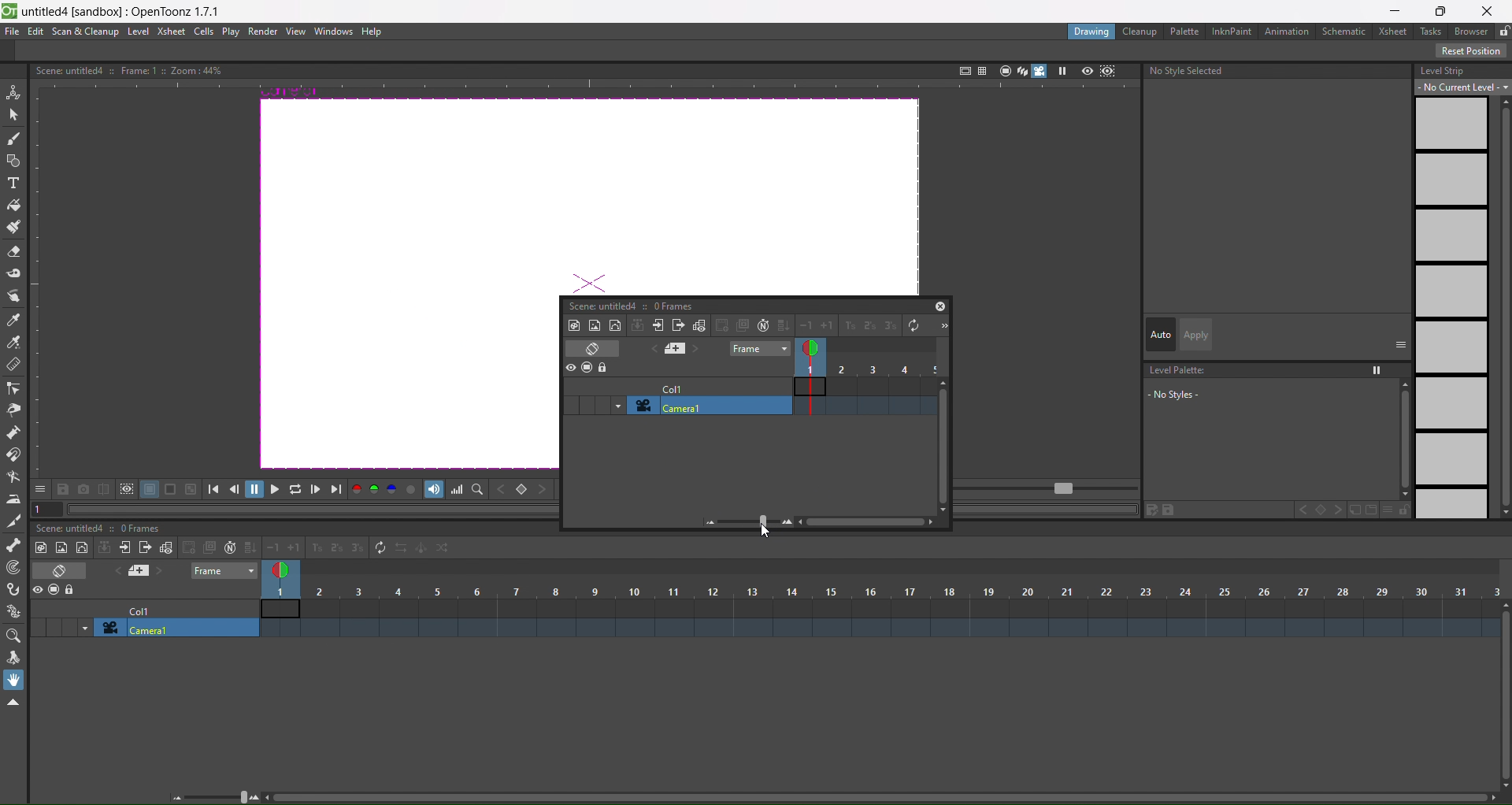 The height and width of the screenshot is (805, 1512). Describe the element at coordinates (593, 347) in the screenshot. I see `` at that location.